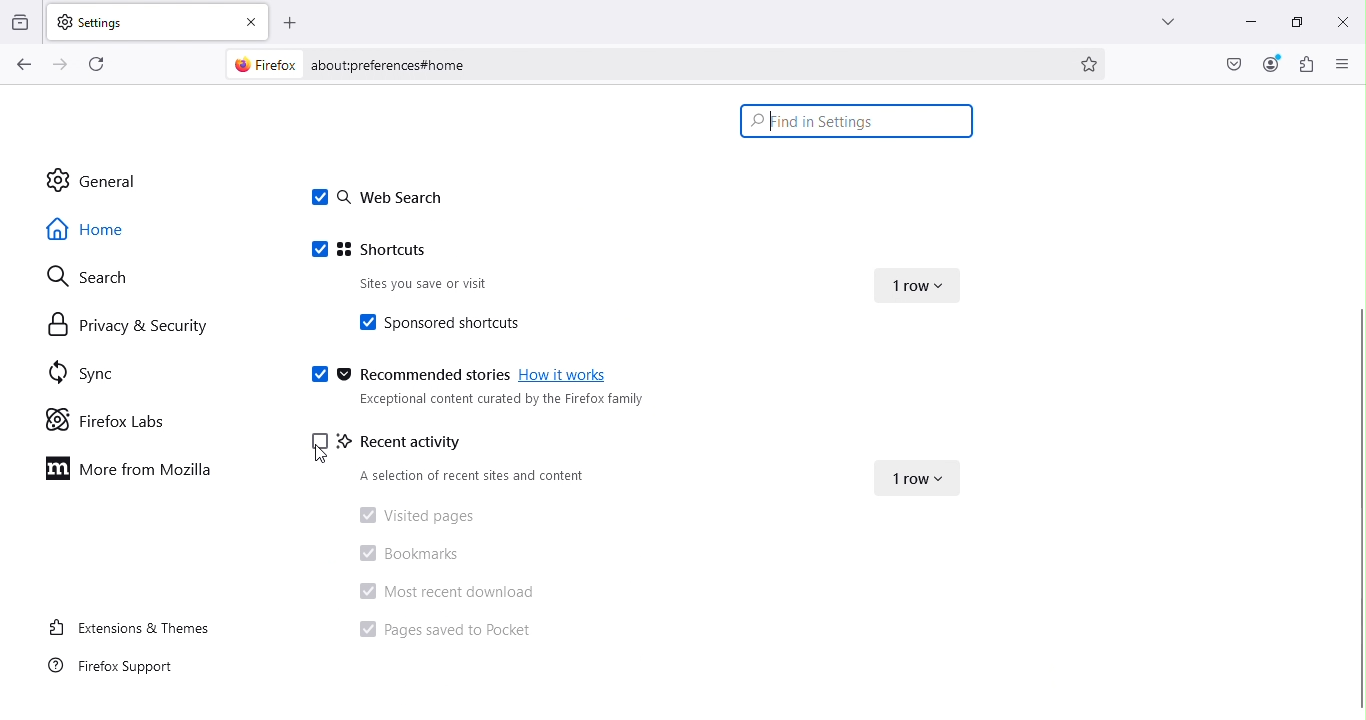 This screenshot has height=720, width=1366. What do you see at coordinates (120, 667) in the screenshot?
I see `Firefox support` at bounding box center [120, 667].